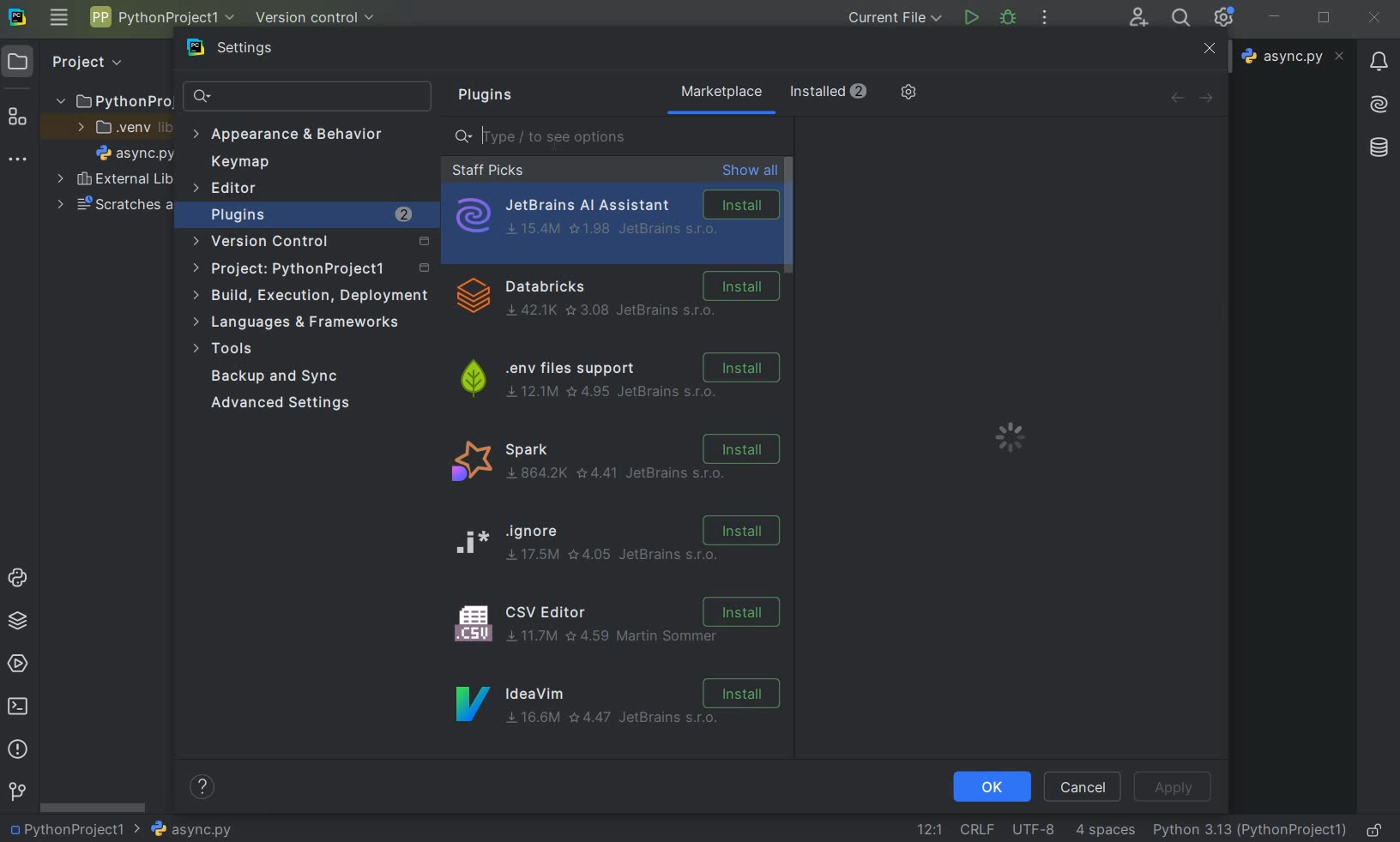  What do you see at coordinates (309, 97) in the screenshot?
I see `search settings` at bounding box center [309, 97].